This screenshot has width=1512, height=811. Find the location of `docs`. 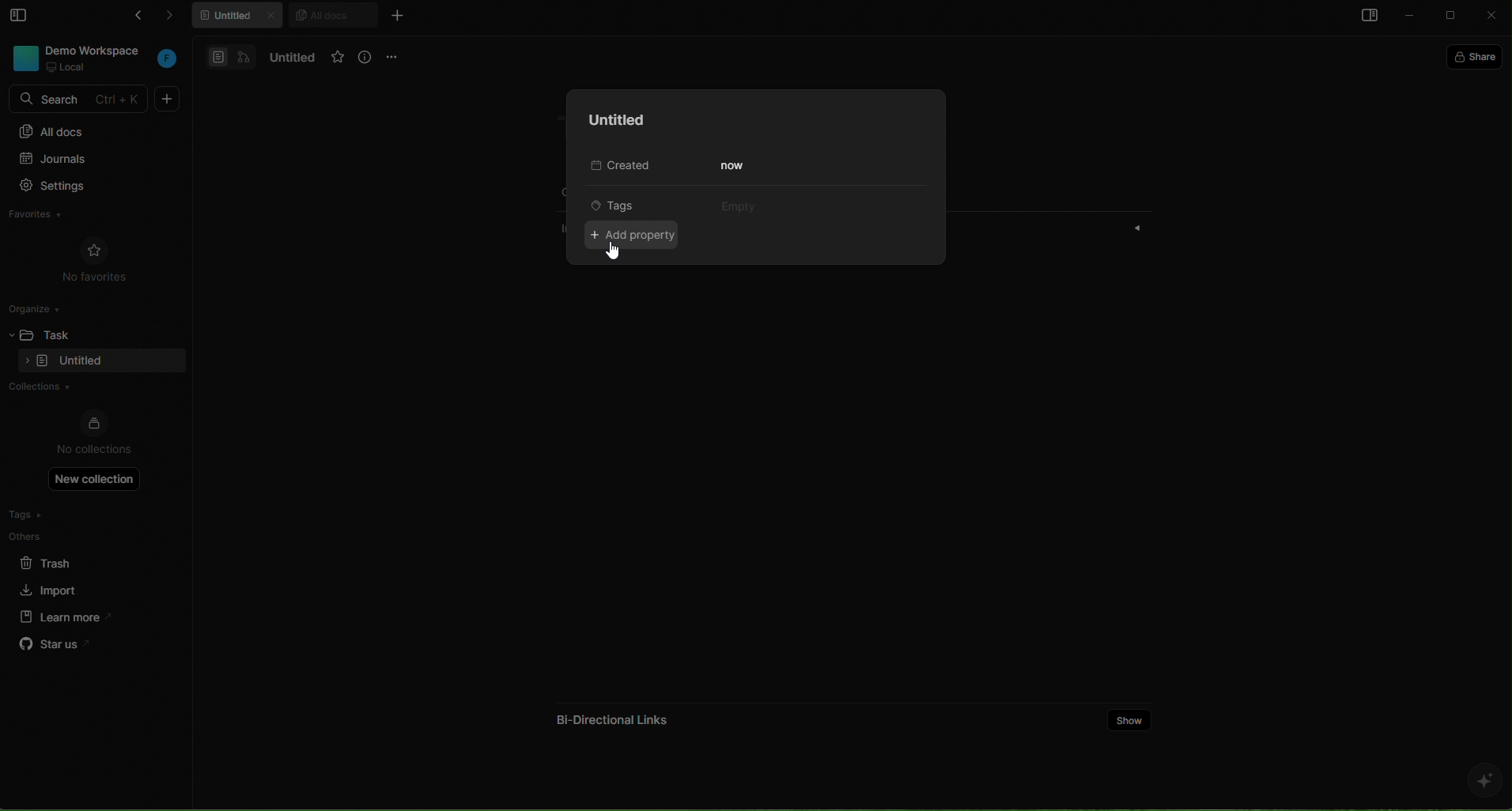

docs is located at coordinates (231, 56).